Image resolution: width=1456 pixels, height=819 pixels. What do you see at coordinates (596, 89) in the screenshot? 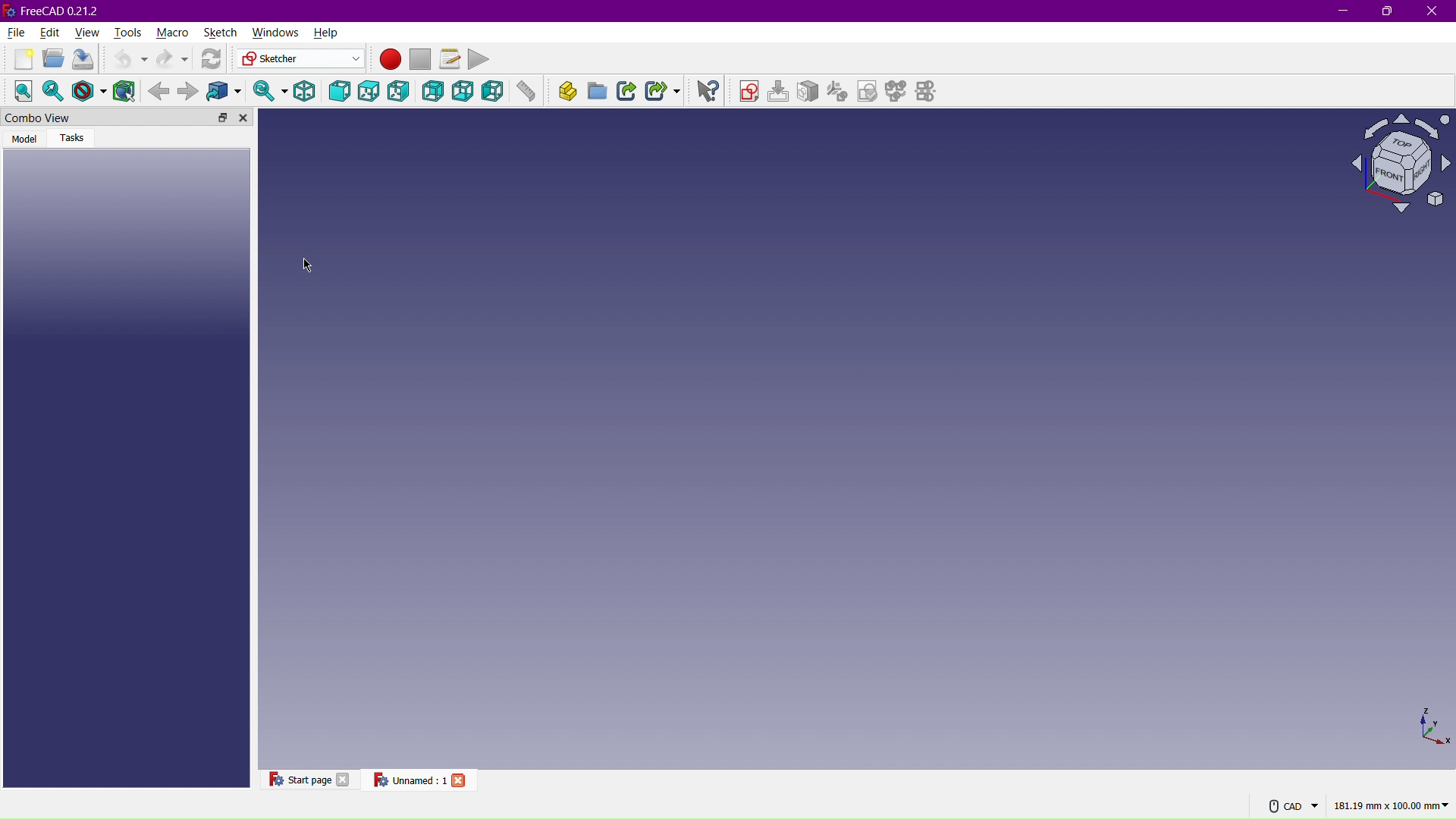
I see `Create group` at bounding box center [596, 89].